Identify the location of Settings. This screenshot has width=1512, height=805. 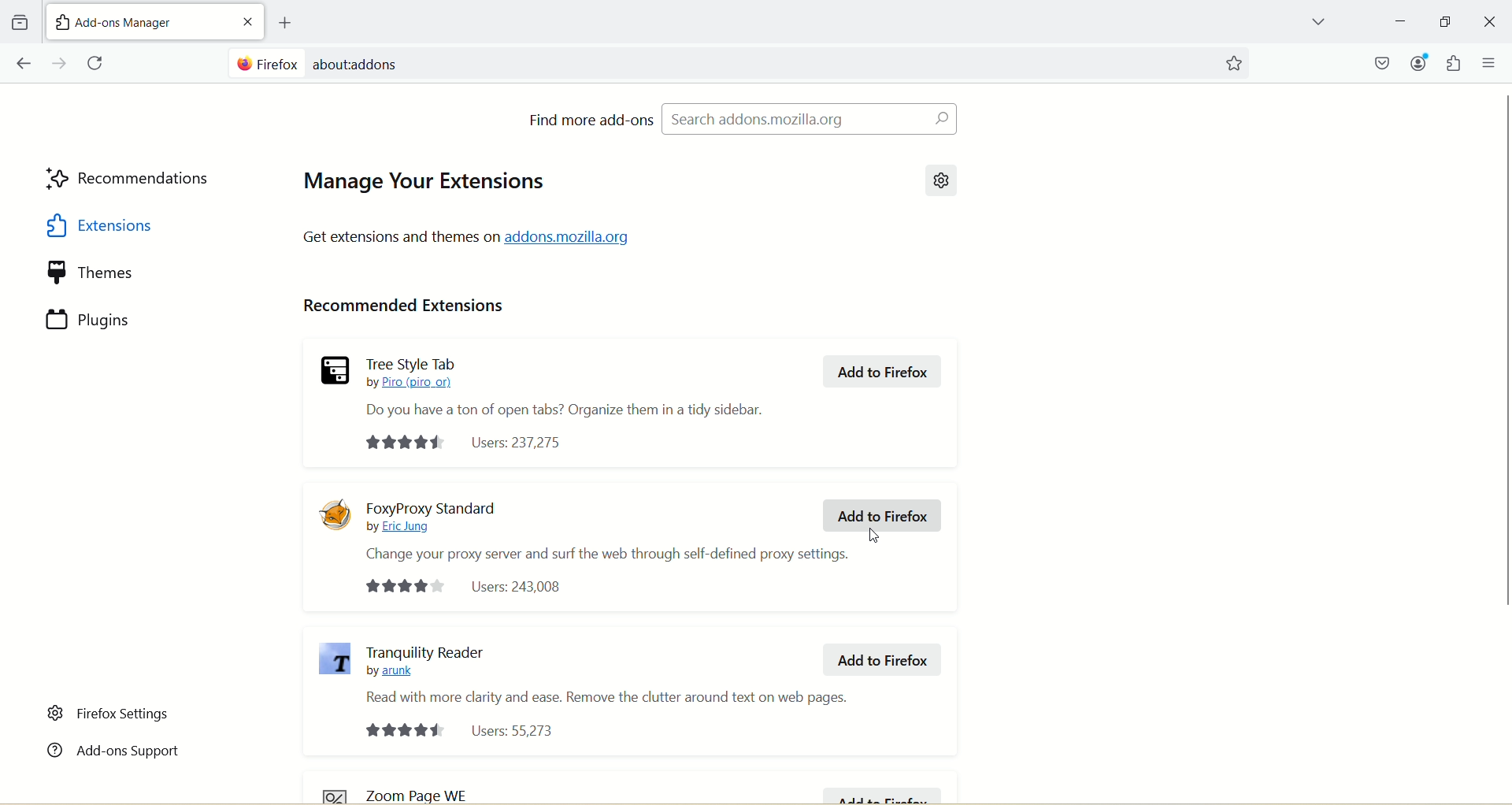
(943, 180).